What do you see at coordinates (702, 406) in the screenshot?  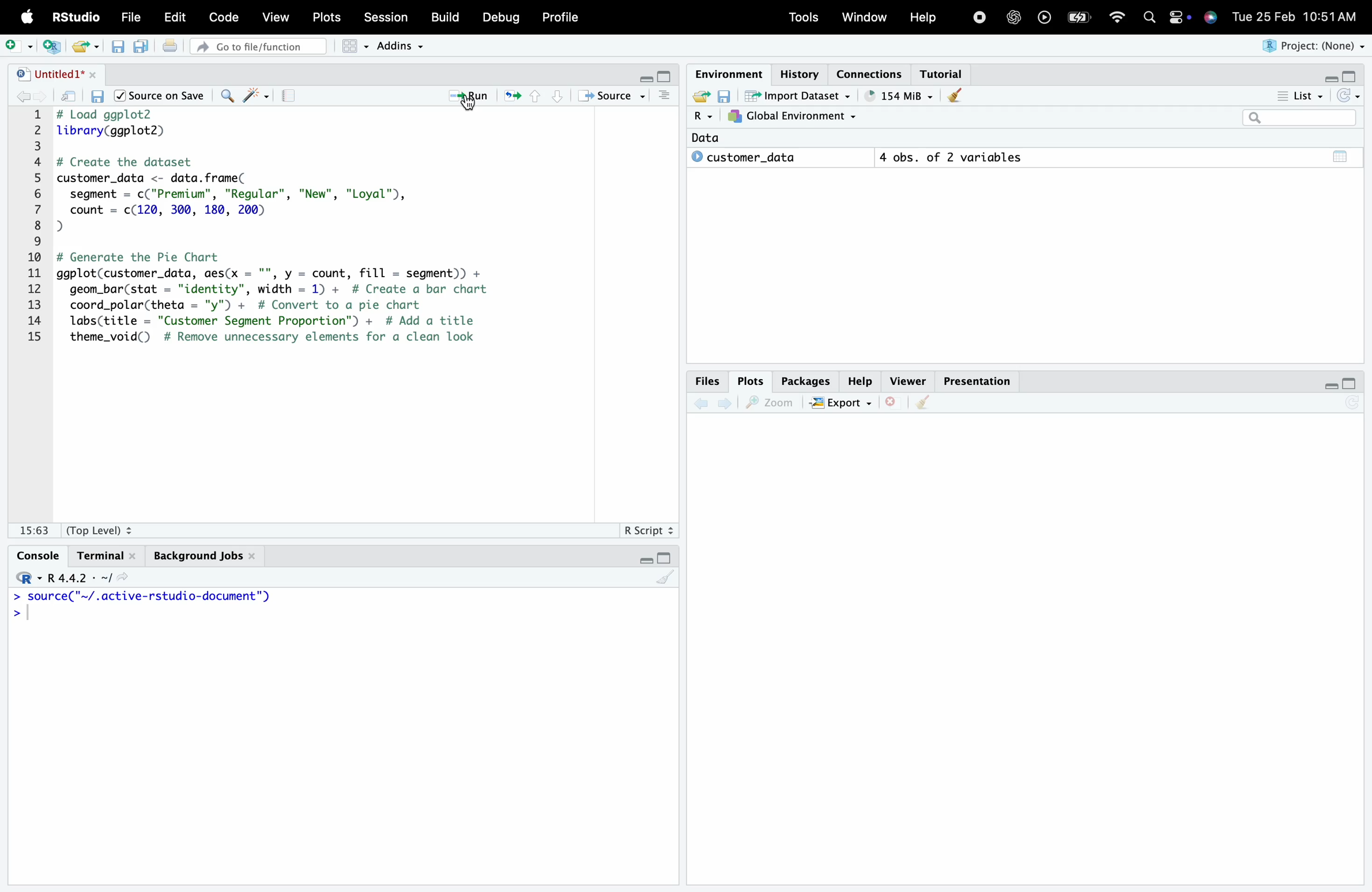 I see `back` at bounding box center [702, 406].